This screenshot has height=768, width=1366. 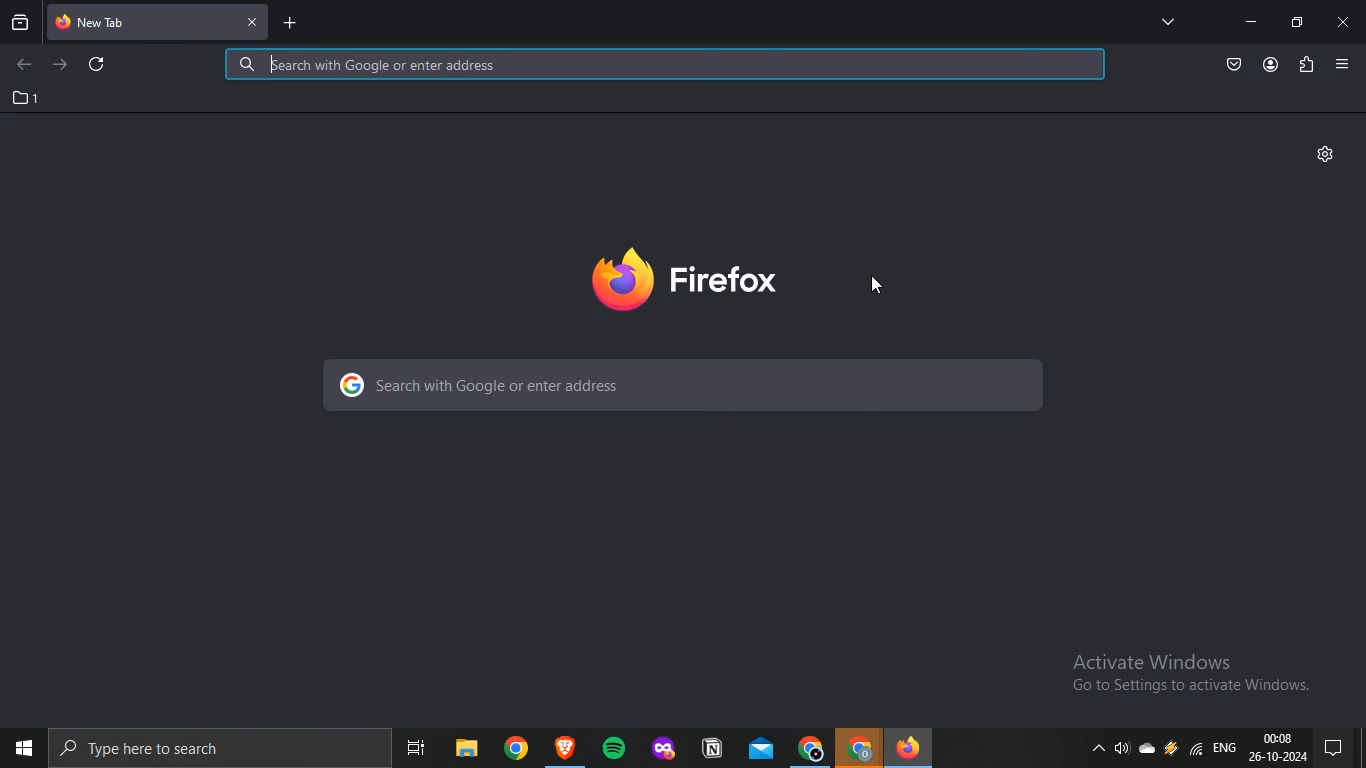 What do you see at coordinates (140, 23) in the screenshot?
I see `tab` at bounding box center [140, 23].